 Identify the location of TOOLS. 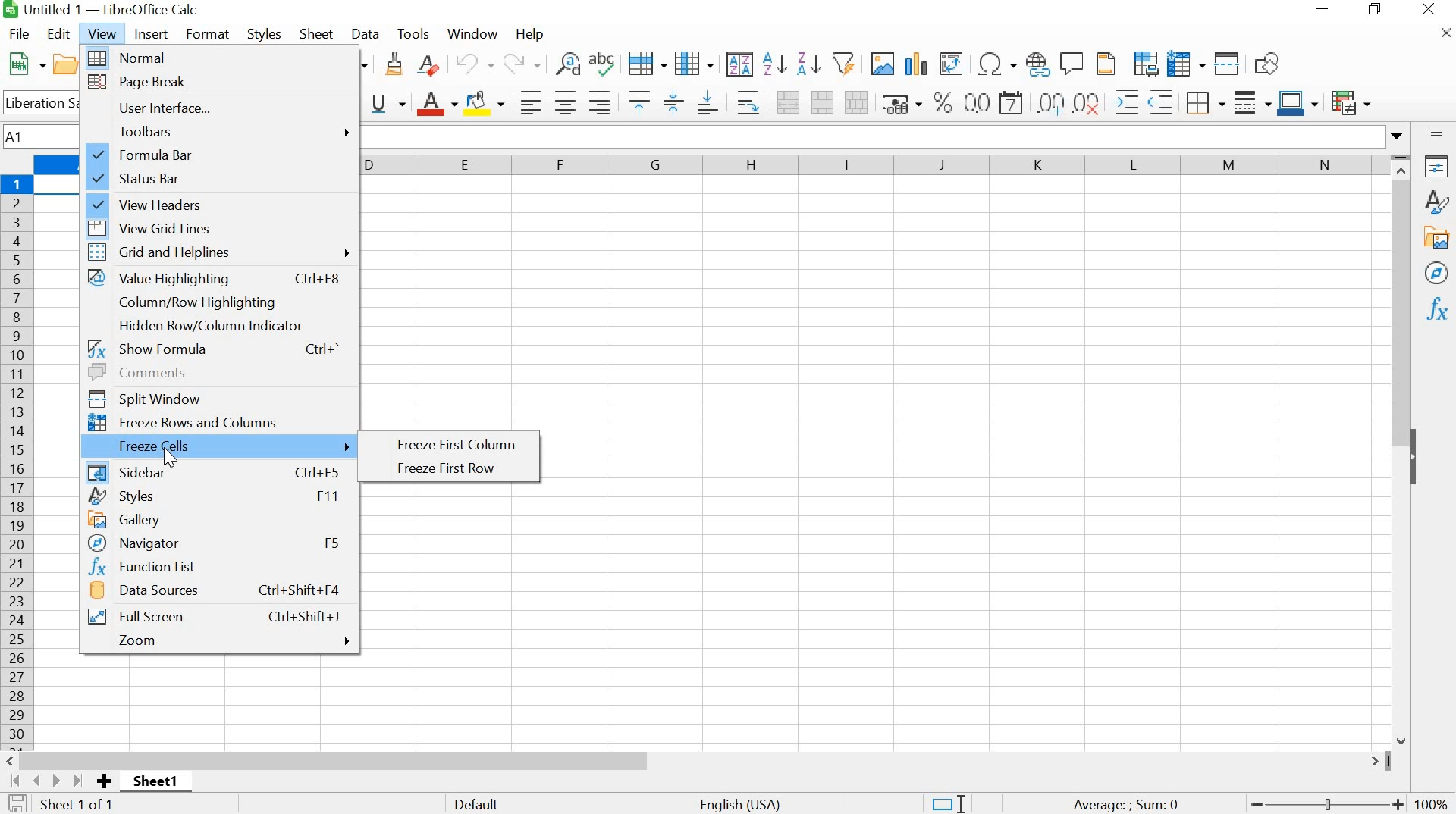
(413, 32).